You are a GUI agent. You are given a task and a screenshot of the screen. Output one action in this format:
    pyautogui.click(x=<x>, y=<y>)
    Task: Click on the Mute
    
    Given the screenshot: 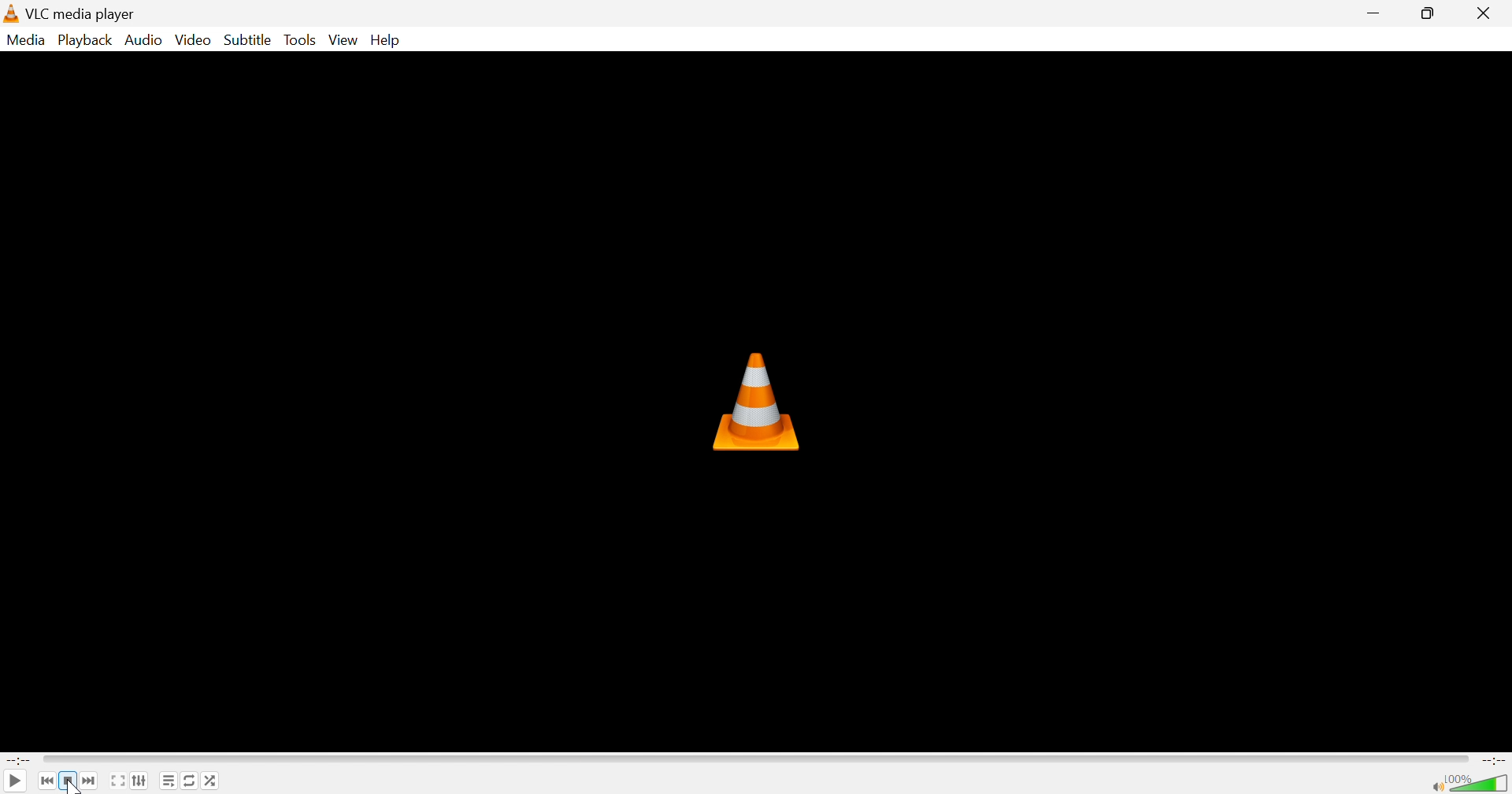 What is the action you would take?
    pyautogui.click(x=1432, y=786)
    